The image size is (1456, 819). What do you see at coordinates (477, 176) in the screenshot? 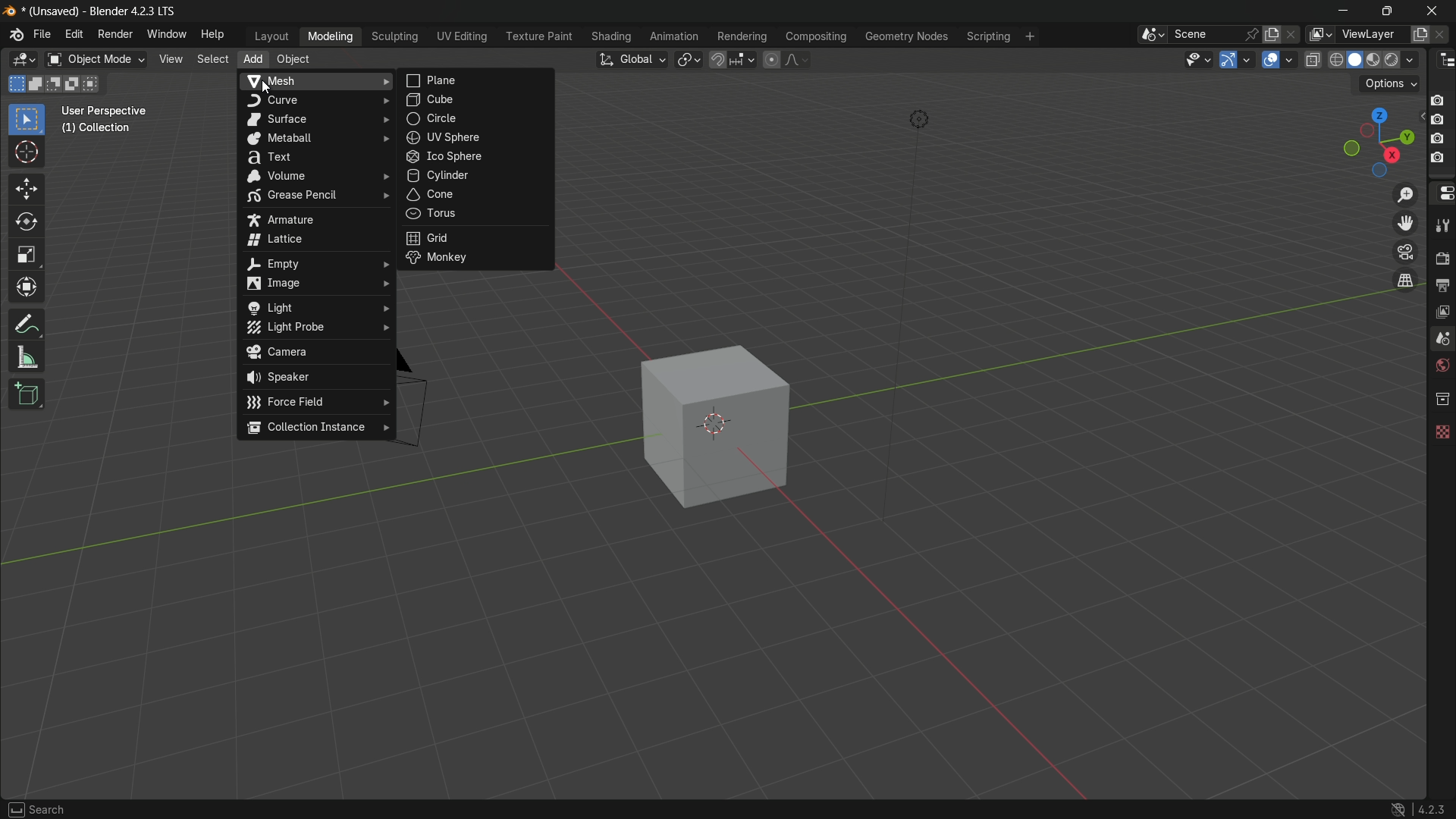
I see `cylinder` at bounding box center [477, 176].